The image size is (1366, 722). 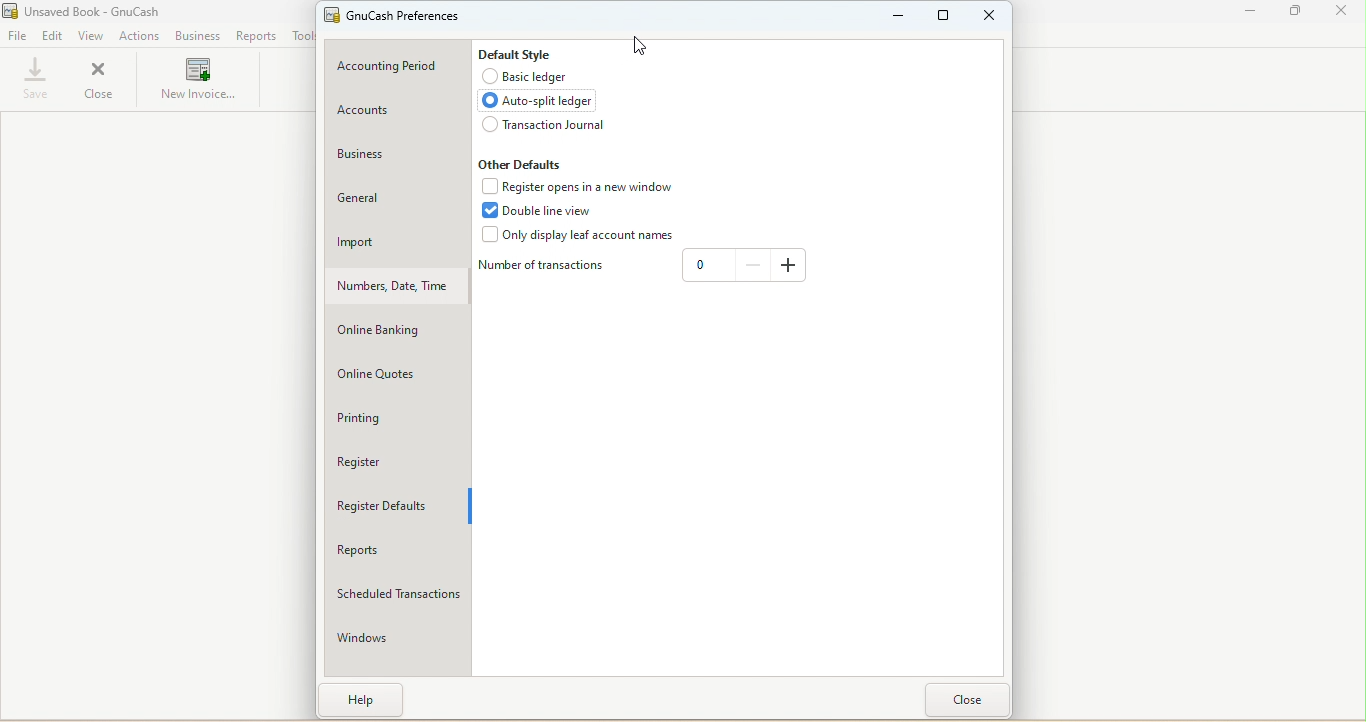 I want to click on Close, so click(x=1342, y=14).